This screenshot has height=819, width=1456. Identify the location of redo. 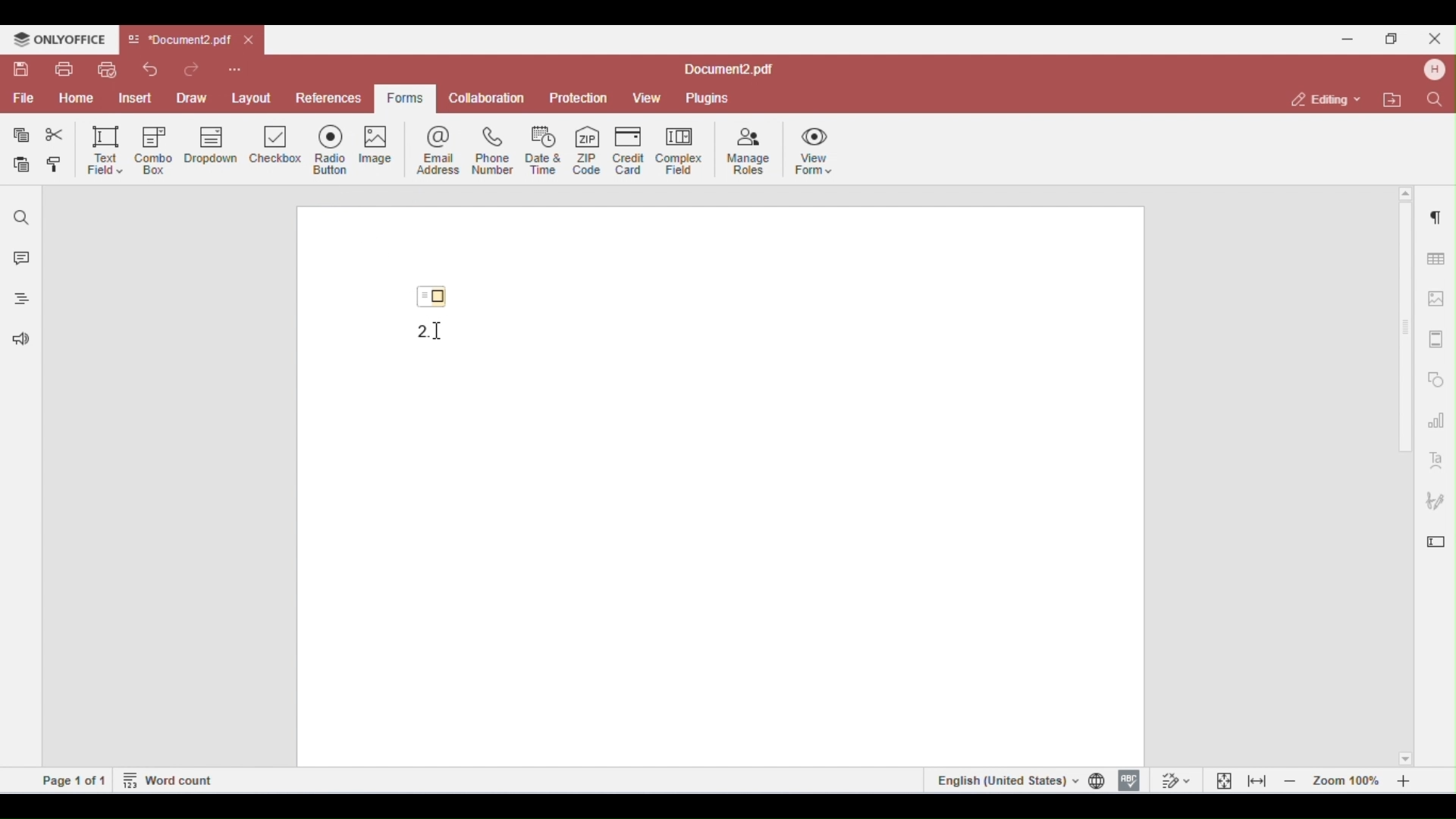
(195, 68).